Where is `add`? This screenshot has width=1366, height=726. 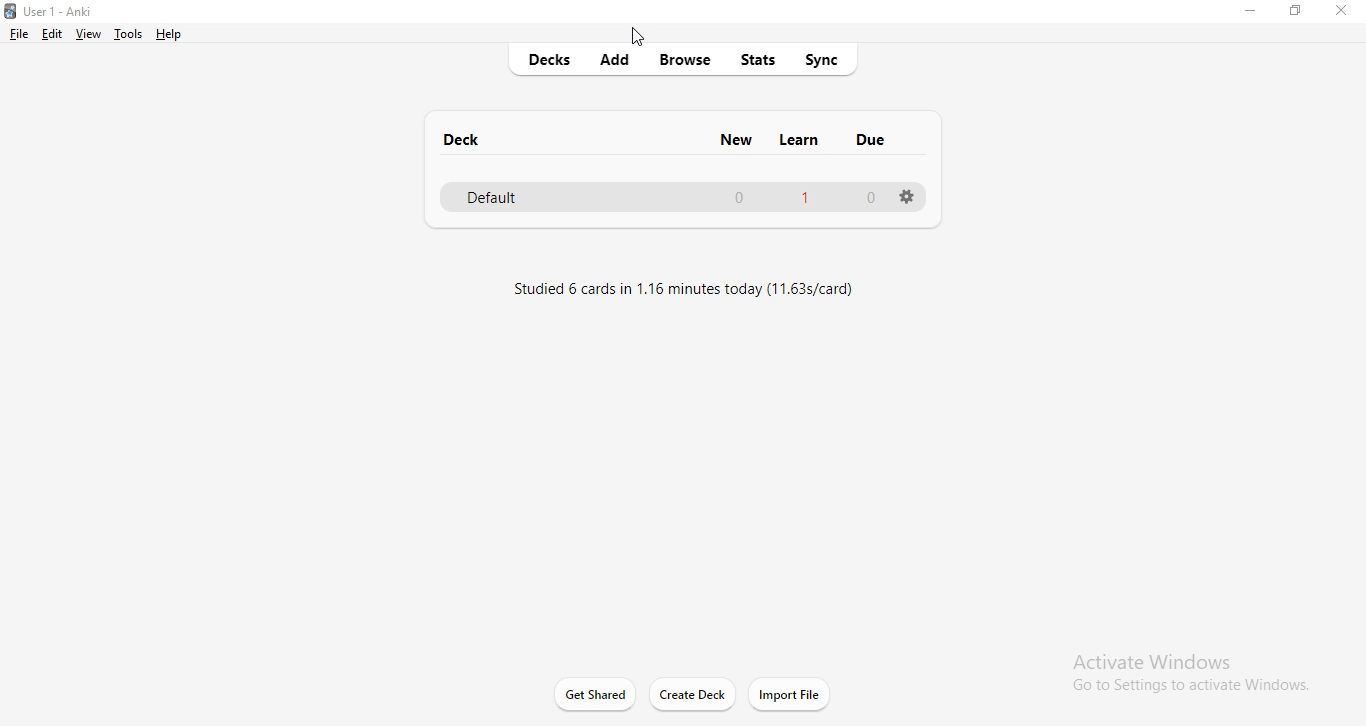 add is located at coordinates (620, 59).